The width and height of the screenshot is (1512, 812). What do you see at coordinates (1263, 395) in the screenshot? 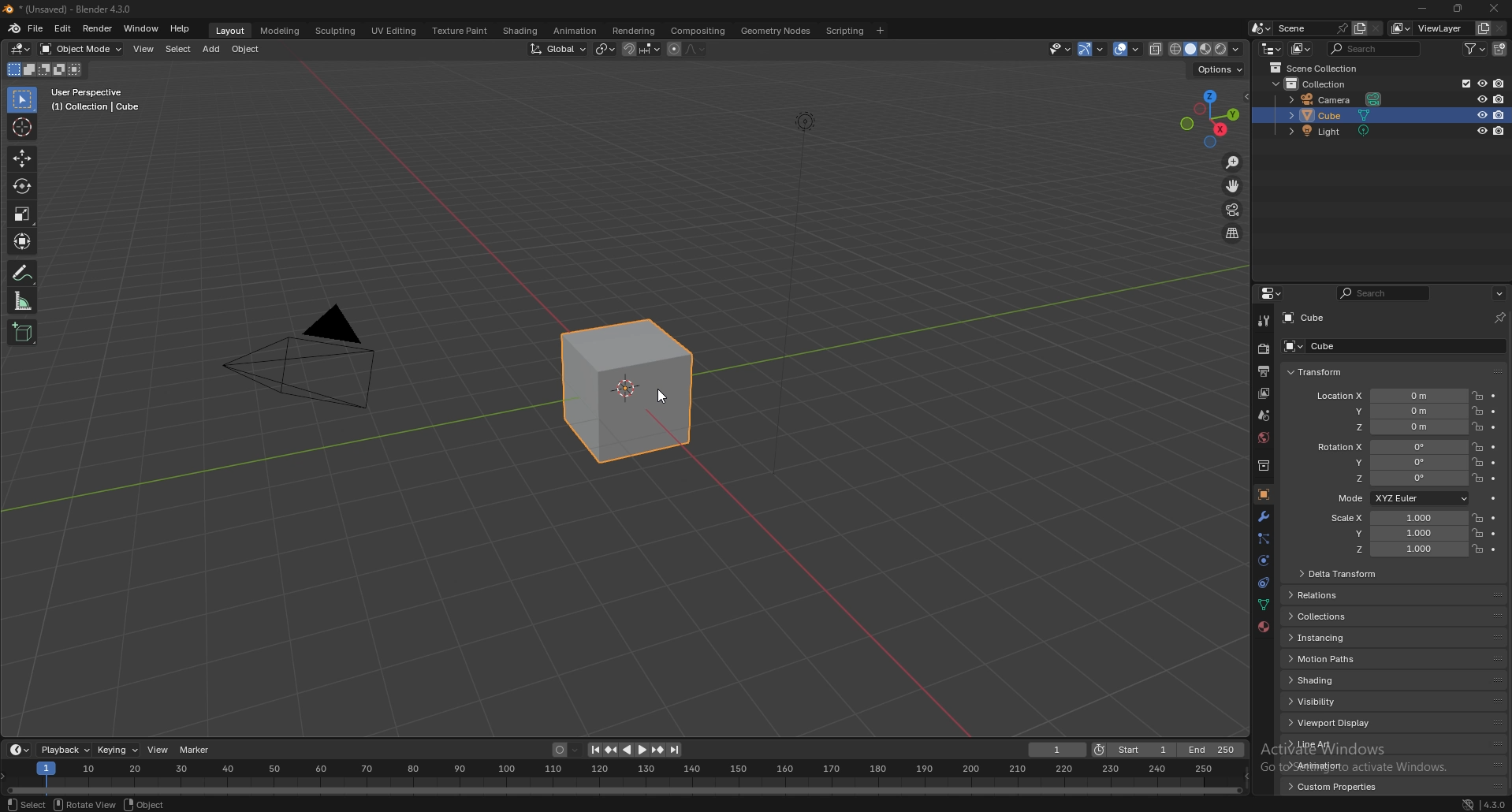
I see `view layer` at bounding box center [1263, 395].